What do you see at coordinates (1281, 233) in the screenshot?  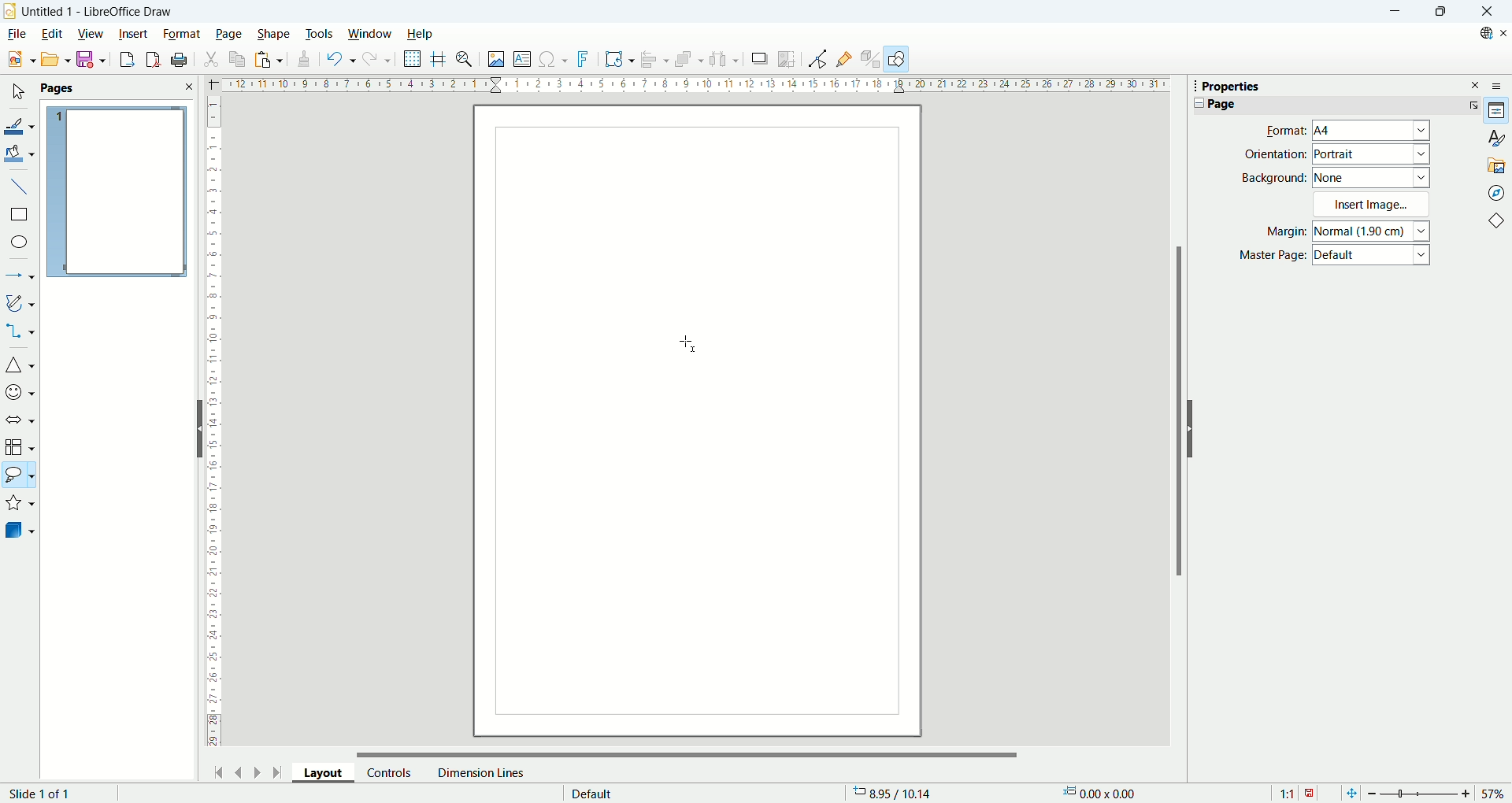 I see `Margin` at bounding box center [1281, 233].